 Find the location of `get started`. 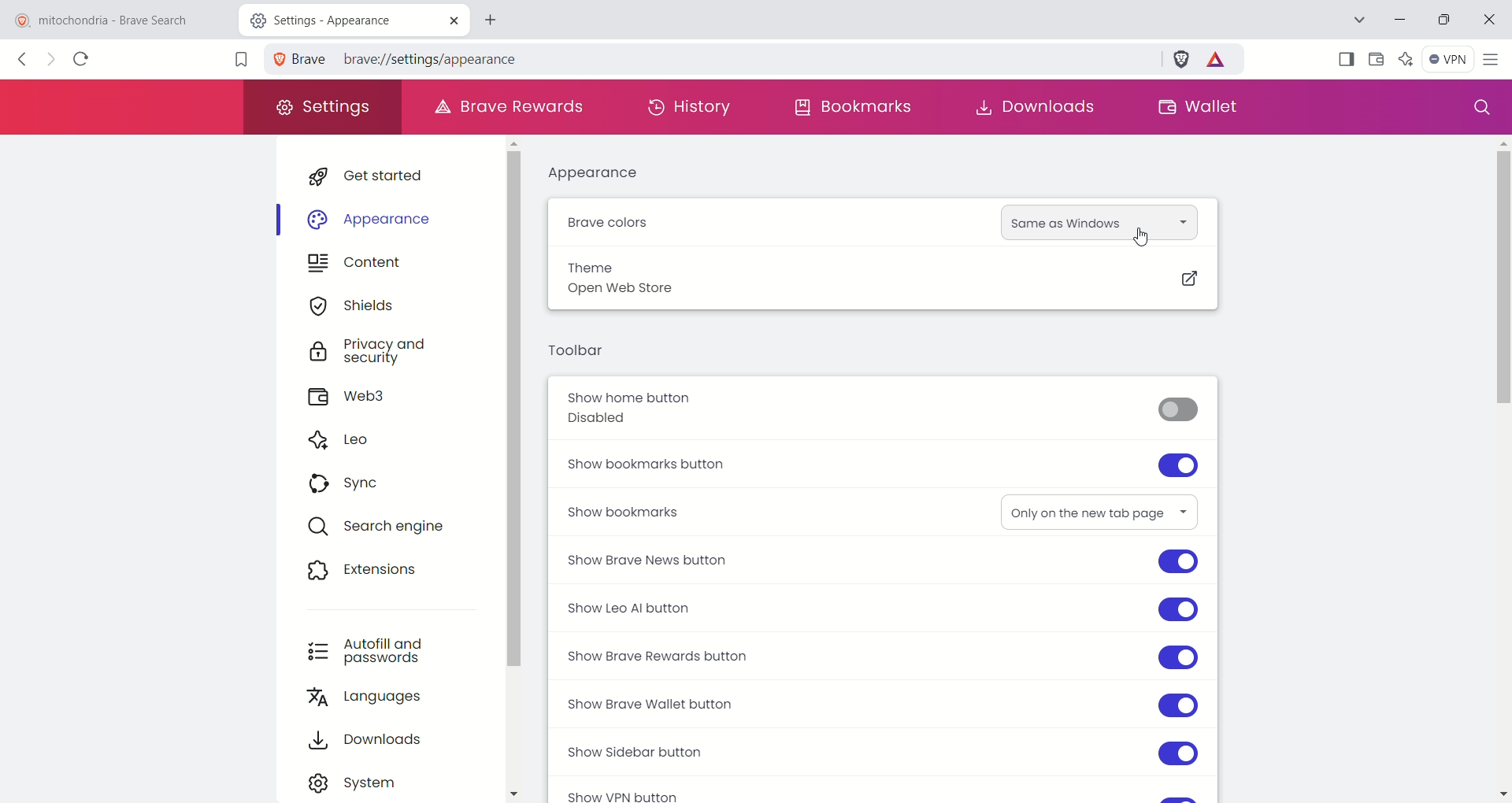

get started is located at coordinates (386, 174).